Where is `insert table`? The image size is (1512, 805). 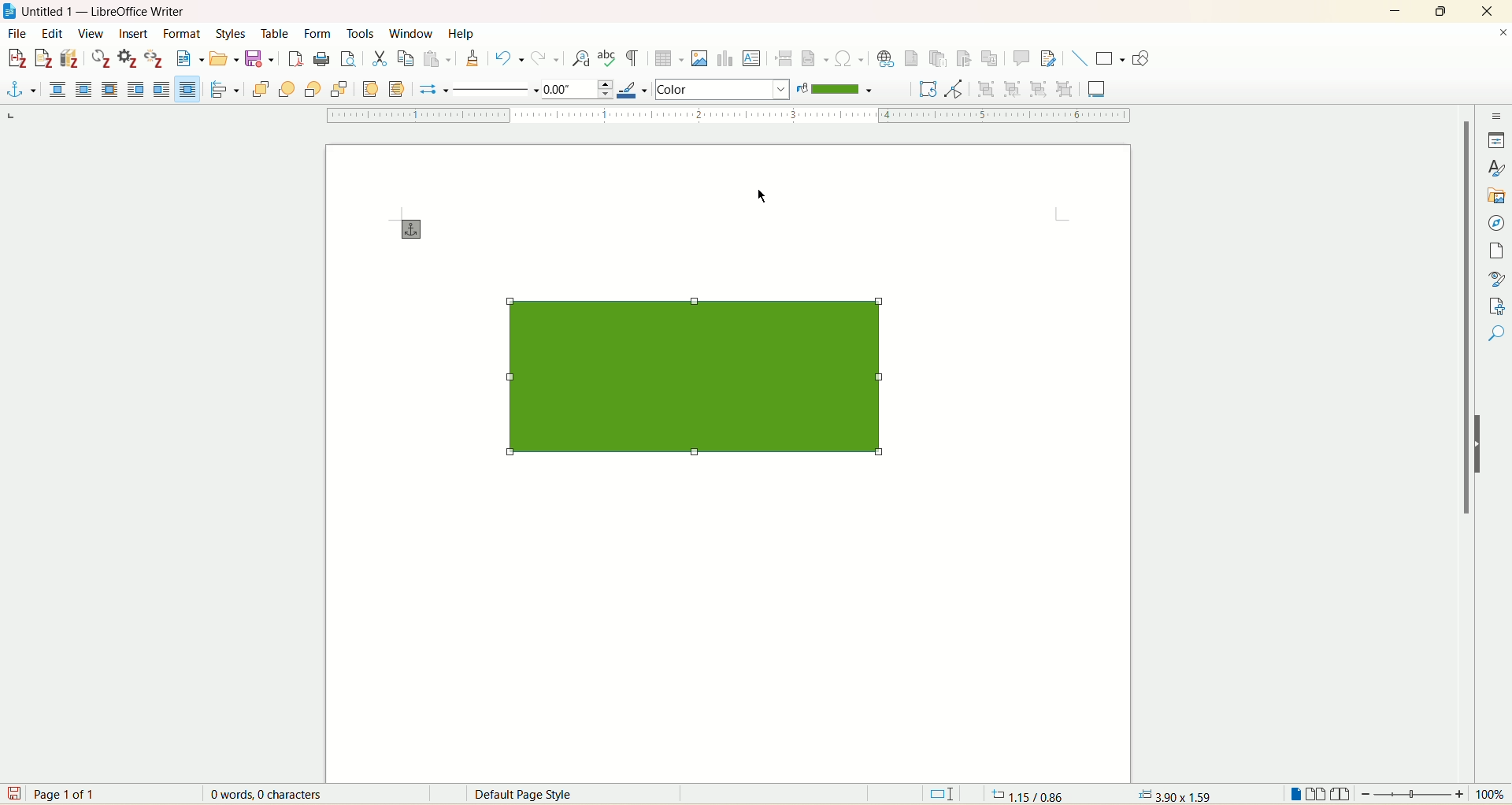 insert table is located at coordinates (670, 61).